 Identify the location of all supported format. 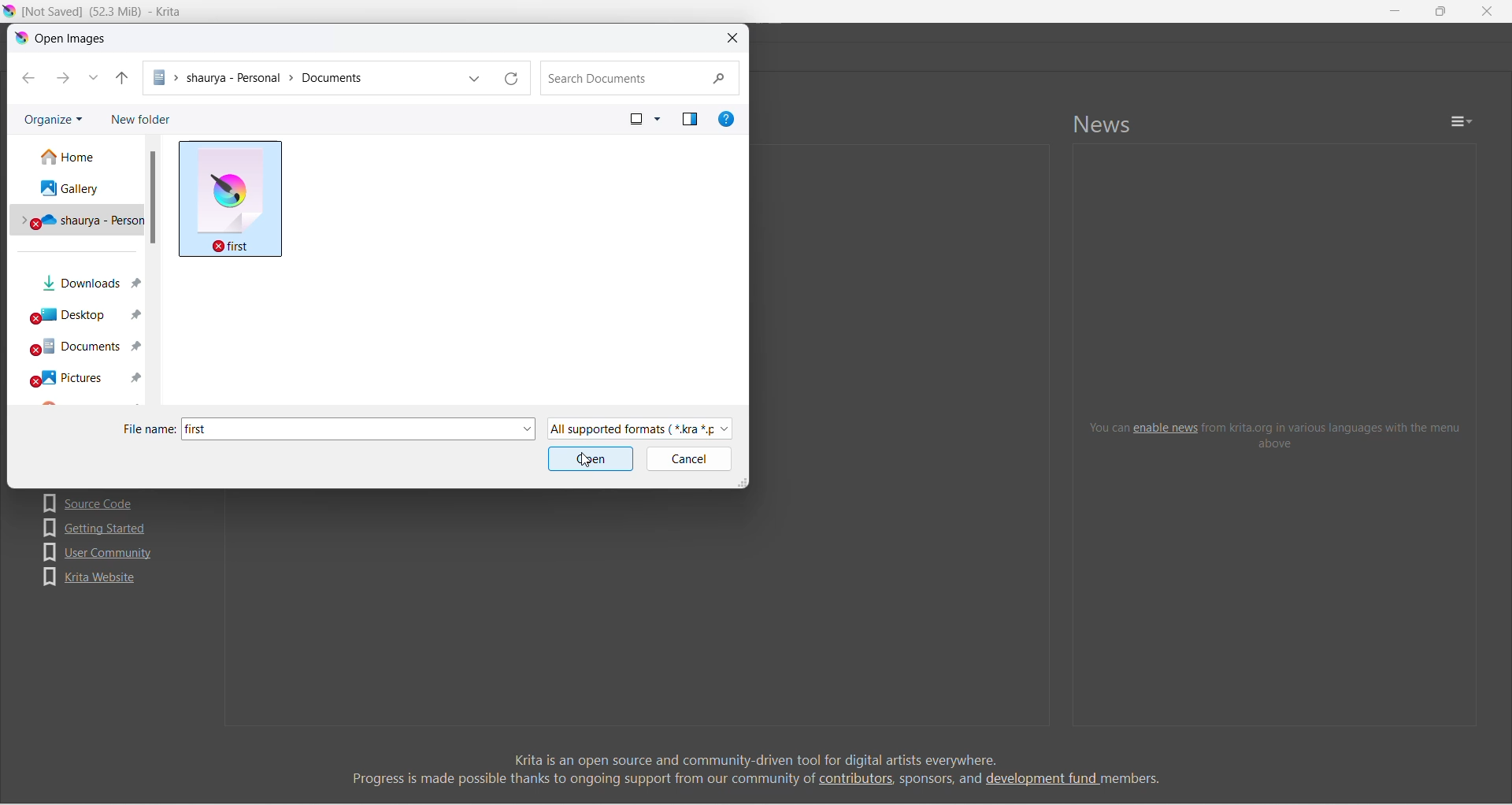
(640, 429).